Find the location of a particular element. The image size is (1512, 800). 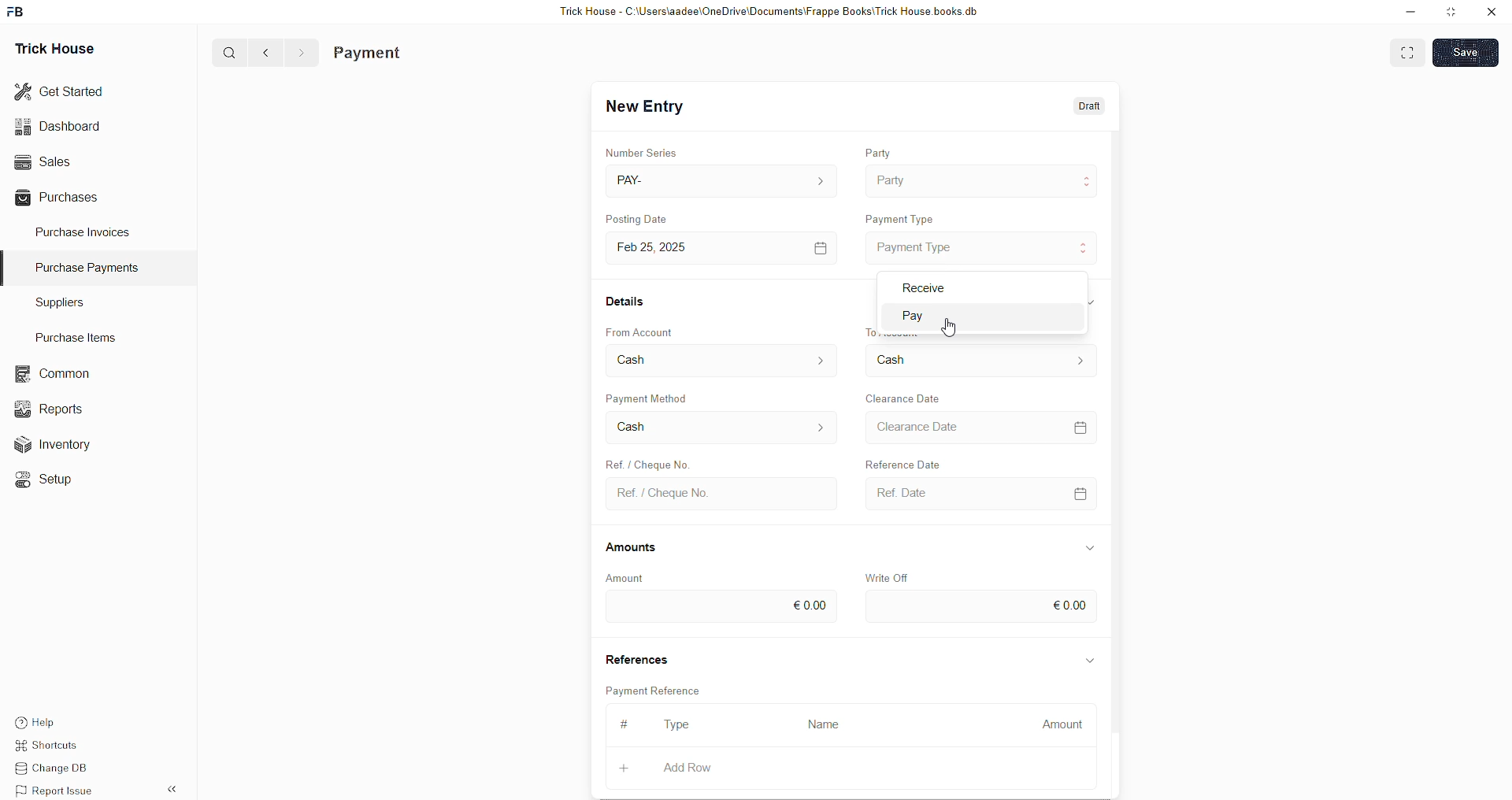

# is located at coordinates (622, 724).